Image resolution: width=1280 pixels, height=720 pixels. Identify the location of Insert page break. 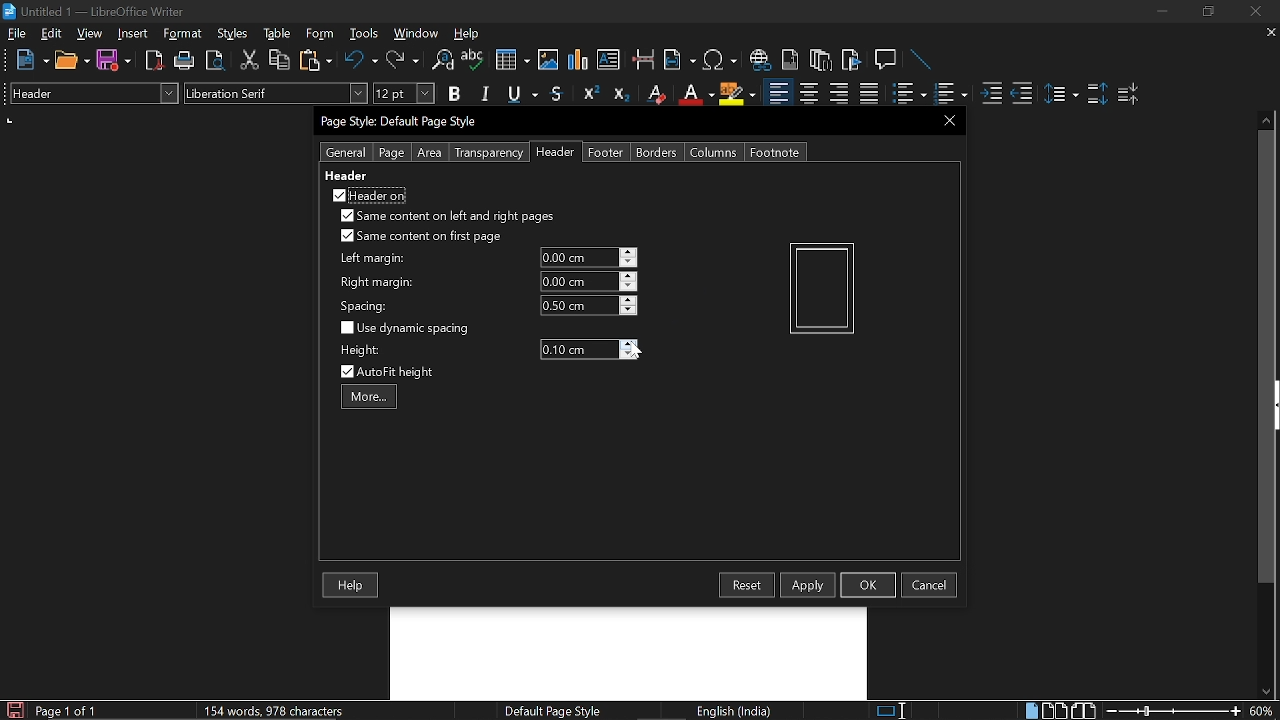
(642, 60).